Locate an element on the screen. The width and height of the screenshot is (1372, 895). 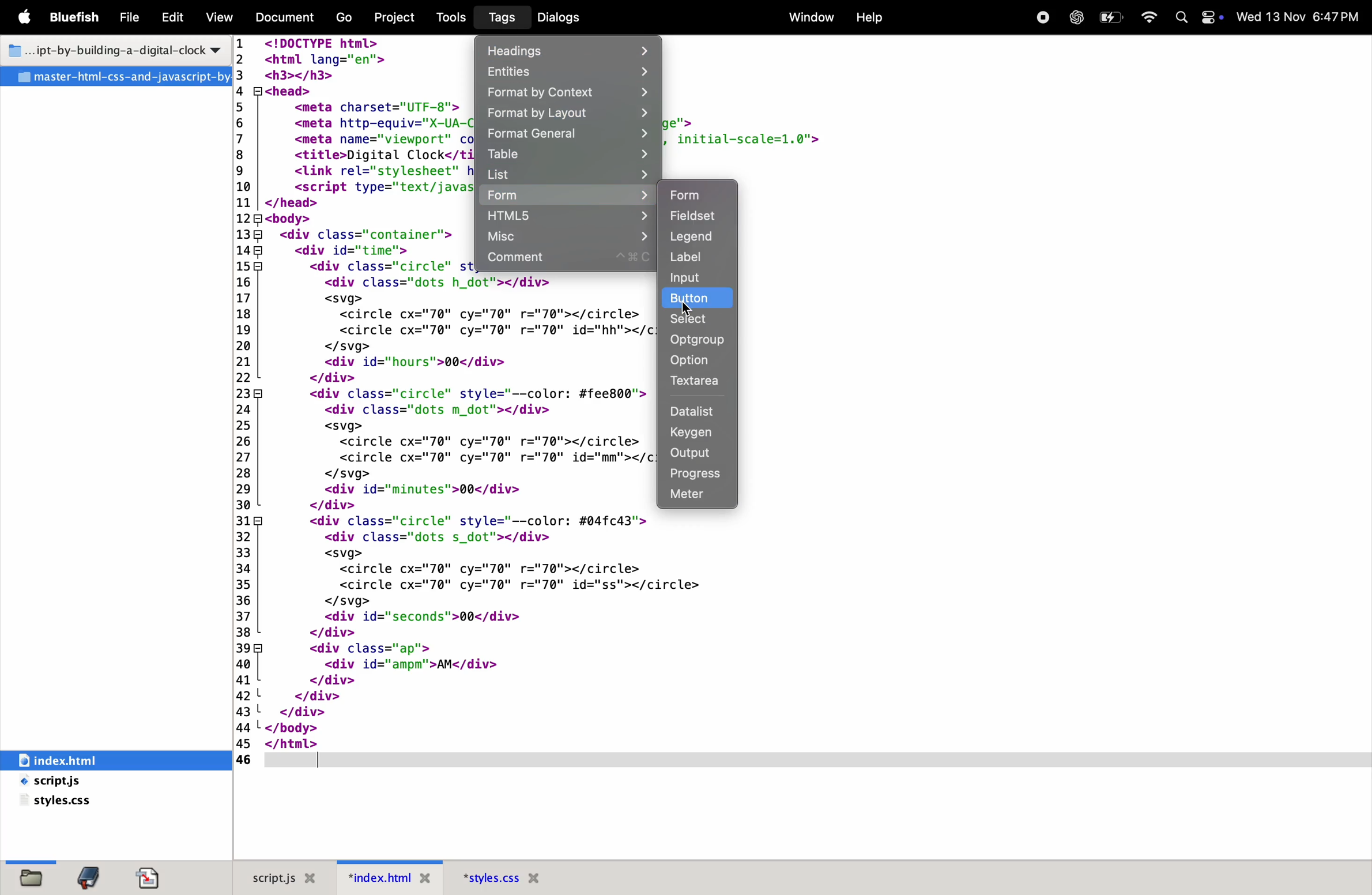
comment is located at coordinates (571, 260).